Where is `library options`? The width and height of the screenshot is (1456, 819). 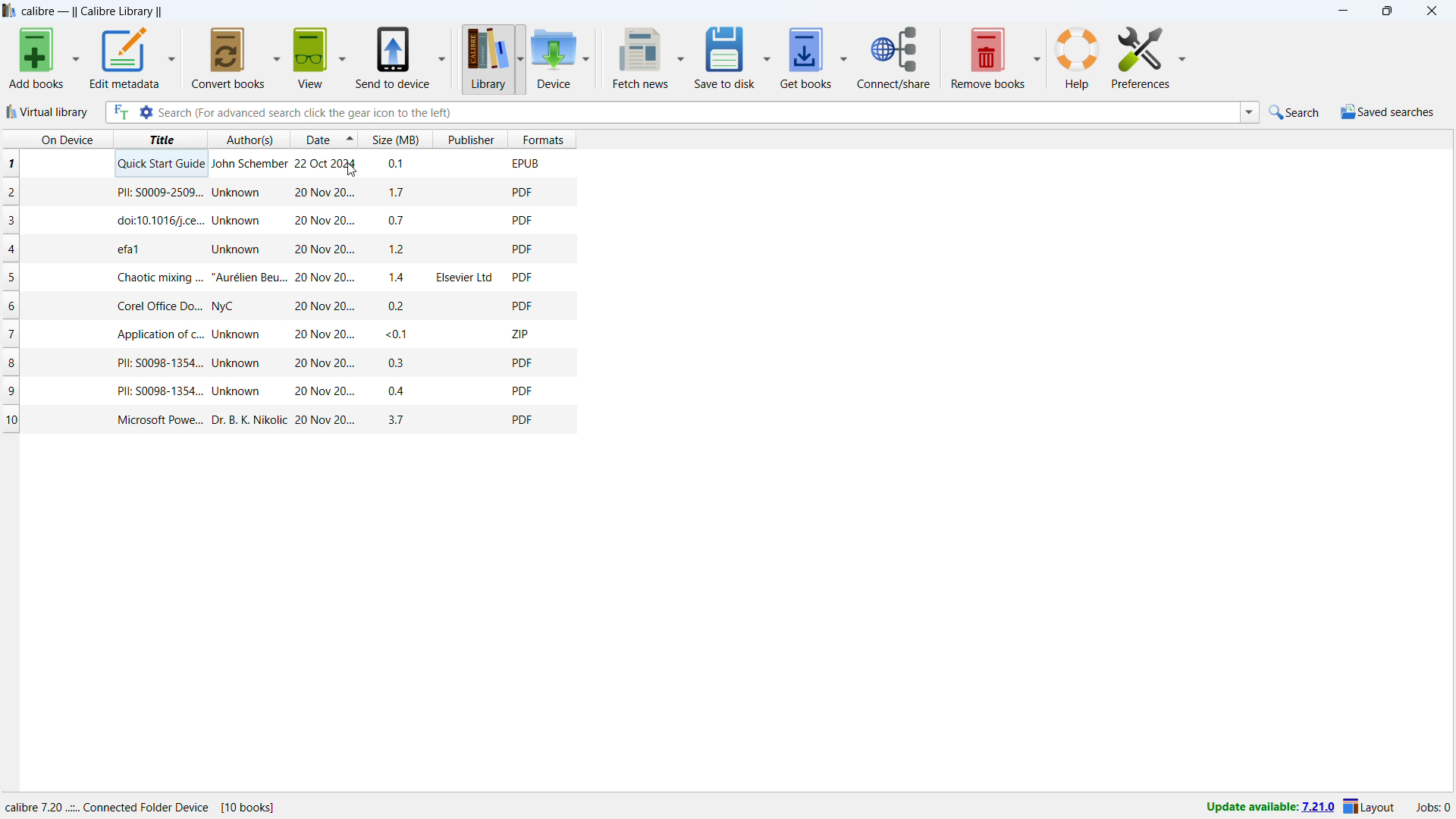
library options is located at coordinates (521, 59).